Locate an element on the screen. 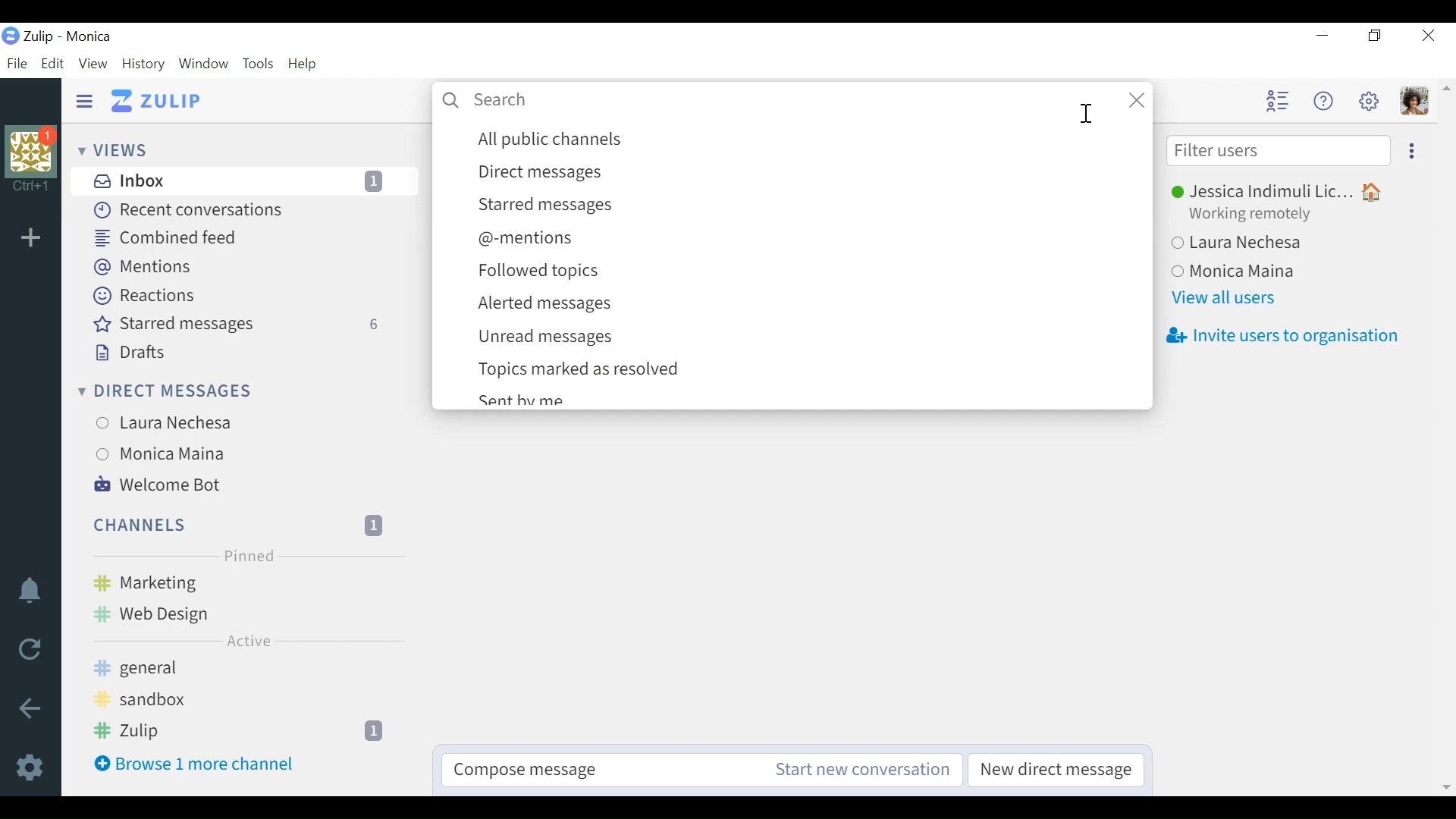  Personal menu is located at coordinates (1417, 102).